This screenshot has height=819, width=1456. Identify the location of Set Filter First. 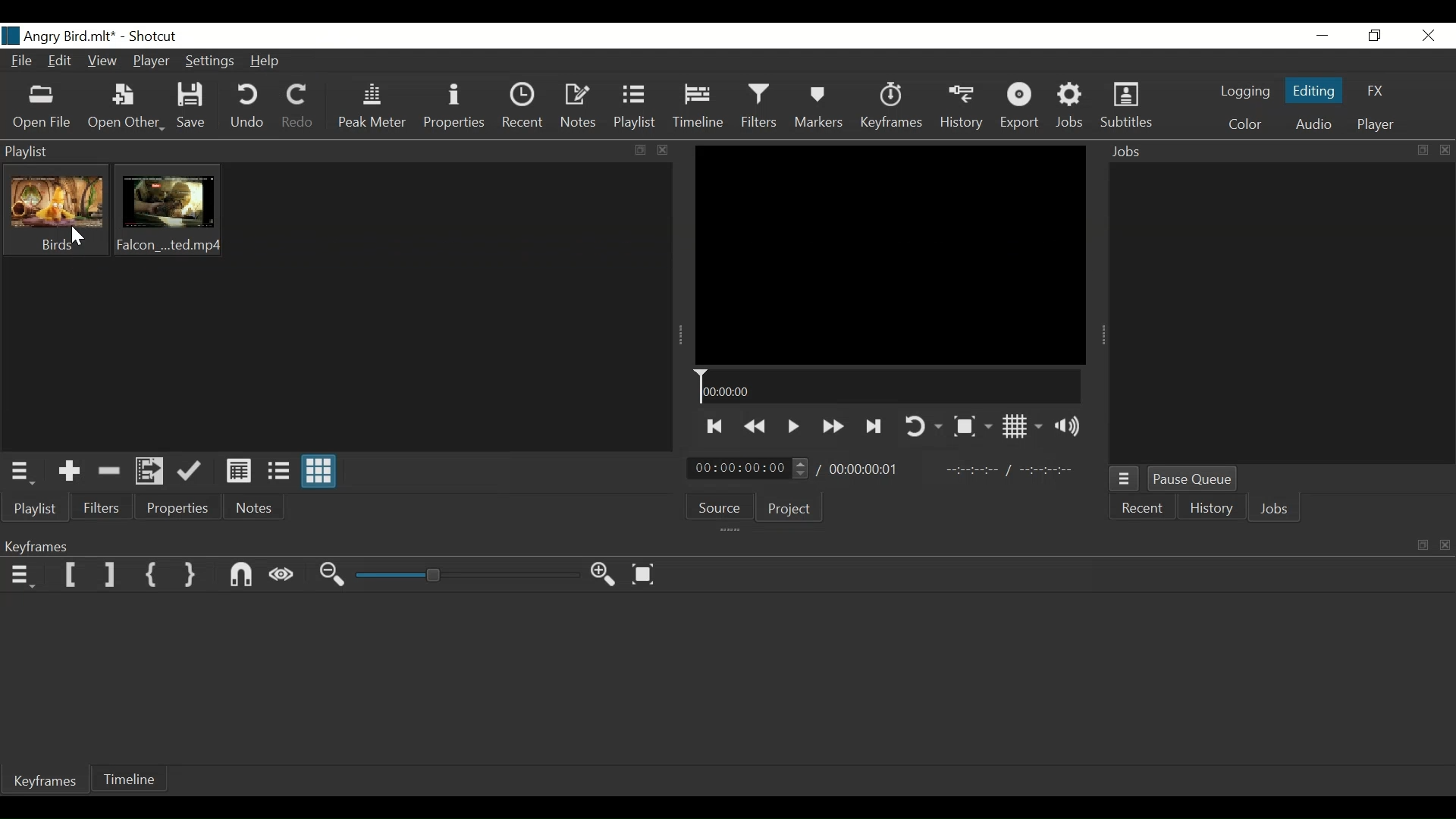
(70, 576).